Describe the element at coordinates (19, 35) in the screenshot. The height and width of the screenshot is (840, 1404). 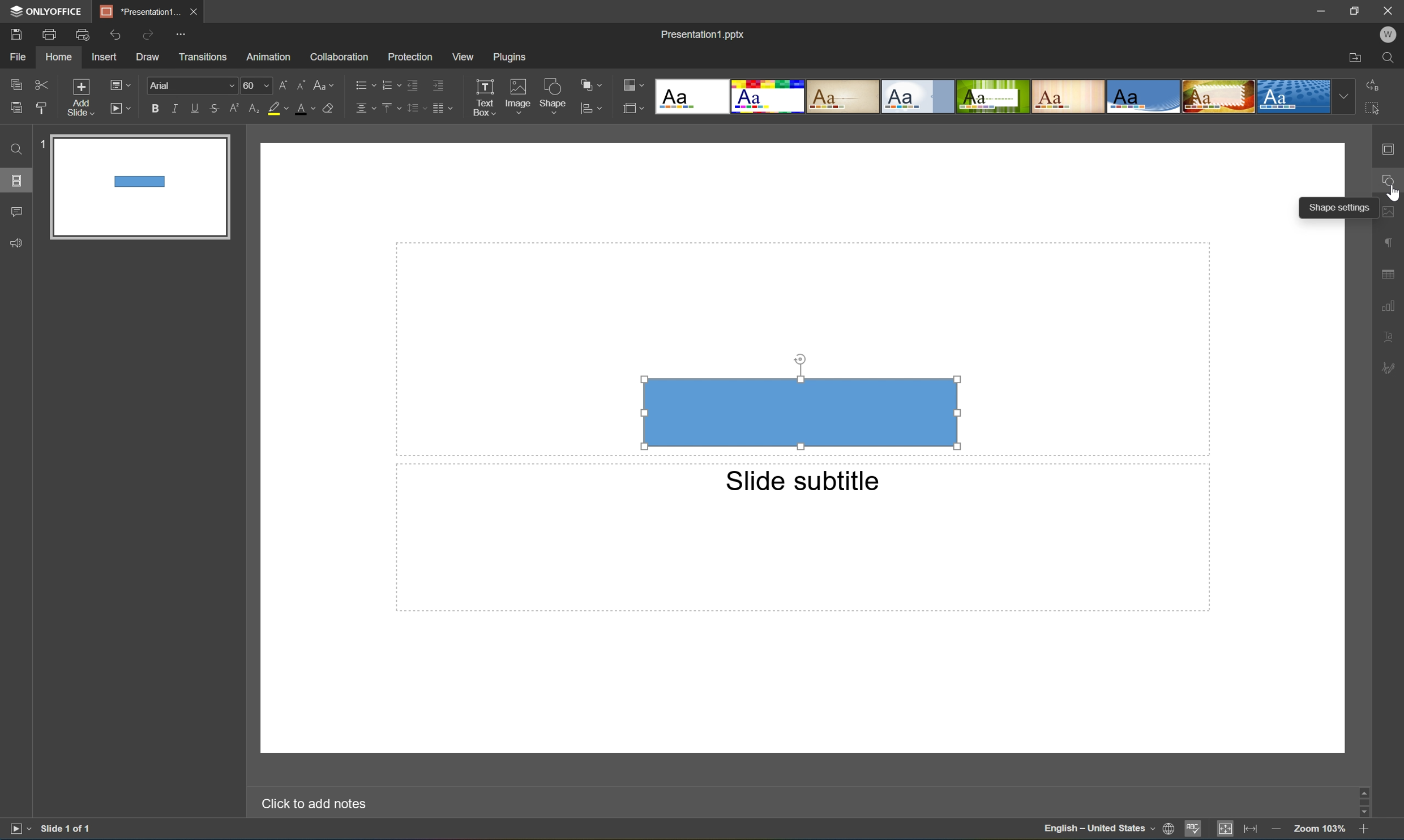
I see `Save` at that location.